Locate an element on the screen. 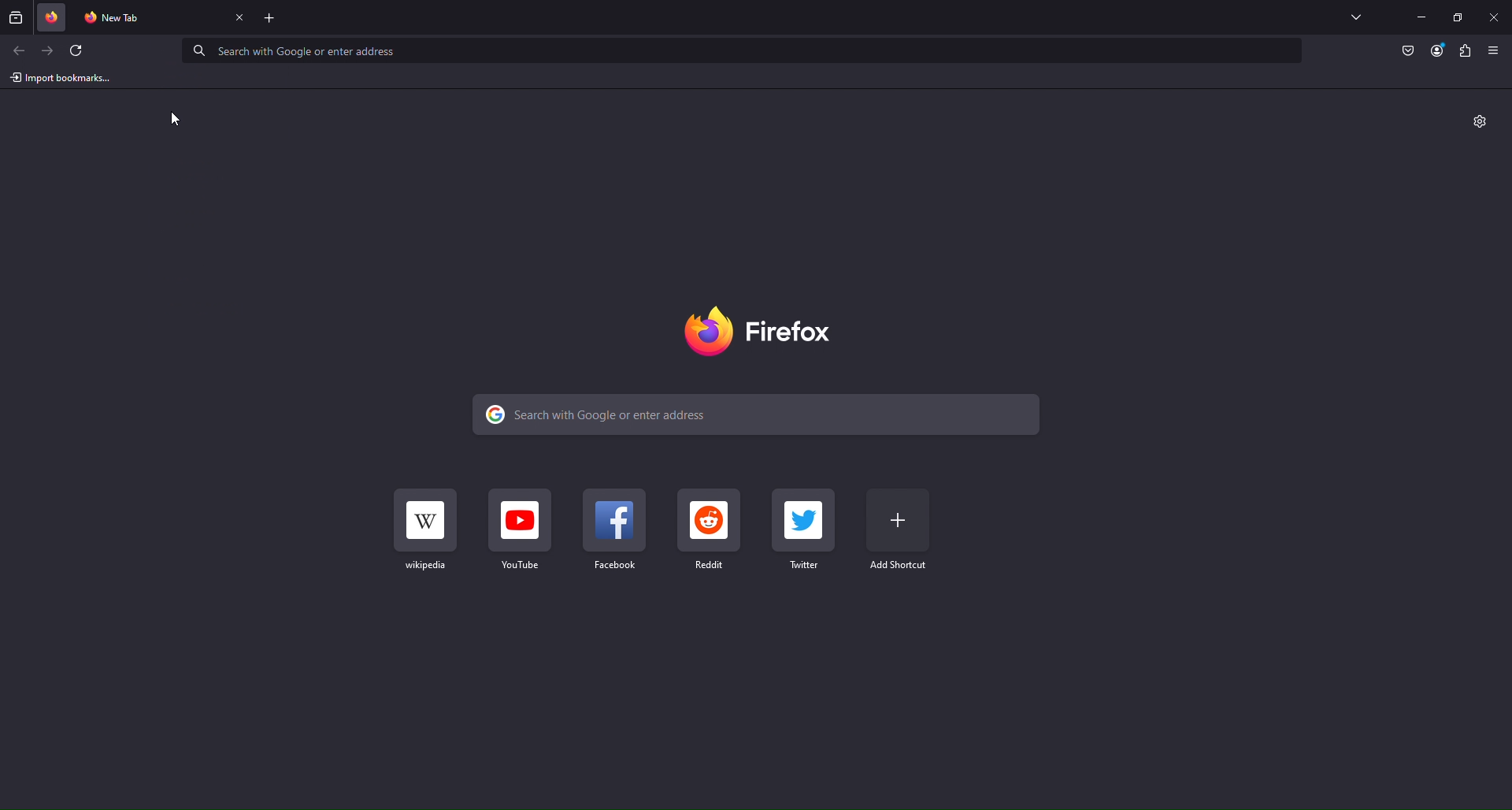 The height and width of the screenshot is (810, 1512). cursor is located at coordinates (176, 117).